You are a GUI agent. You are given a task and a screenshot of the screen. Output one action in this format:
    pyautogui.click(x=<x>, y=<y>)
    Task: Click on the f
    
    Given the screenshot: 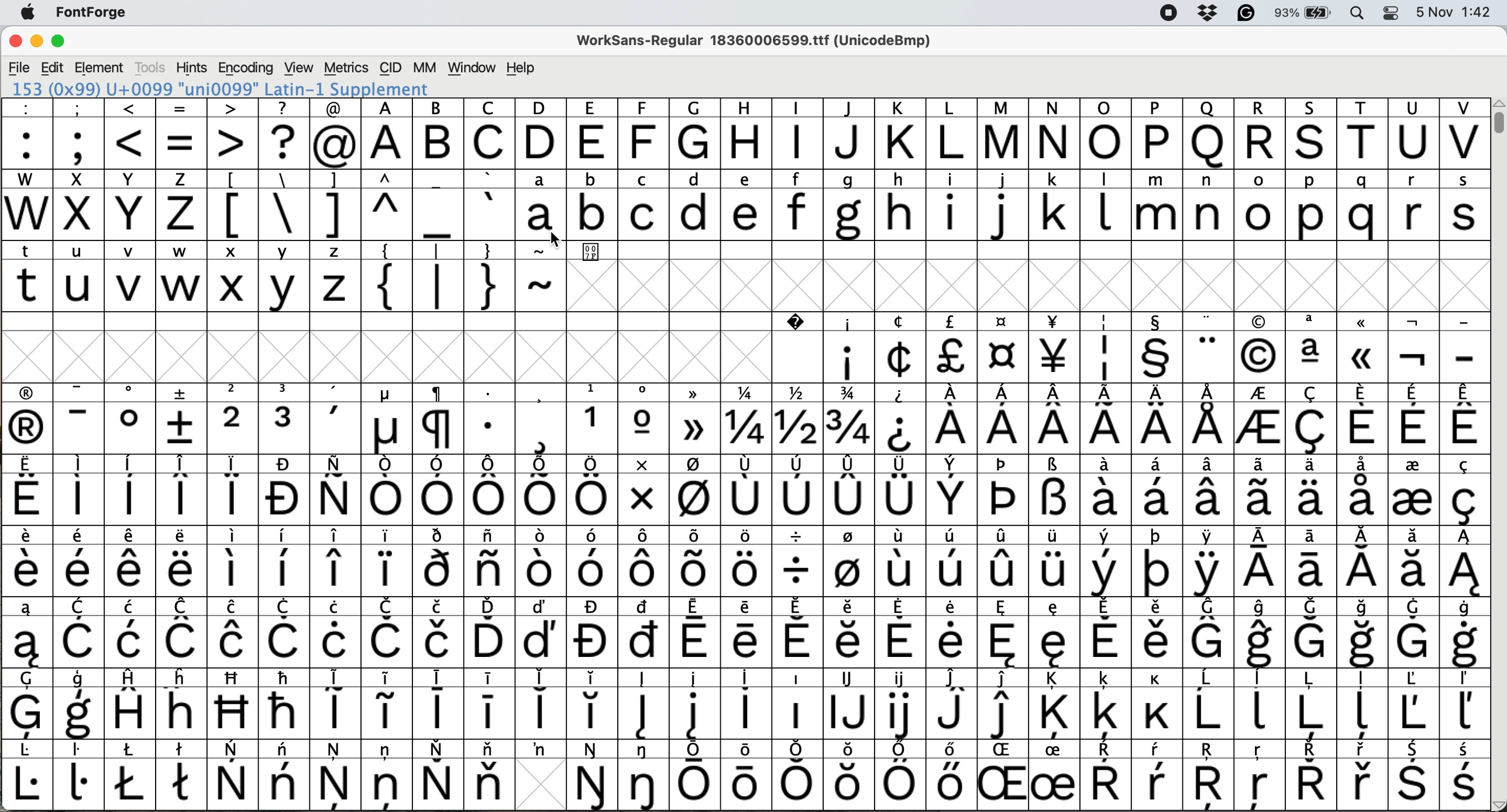 What is the action you would take?
    pyautogui.click(x=796, y=206)
    